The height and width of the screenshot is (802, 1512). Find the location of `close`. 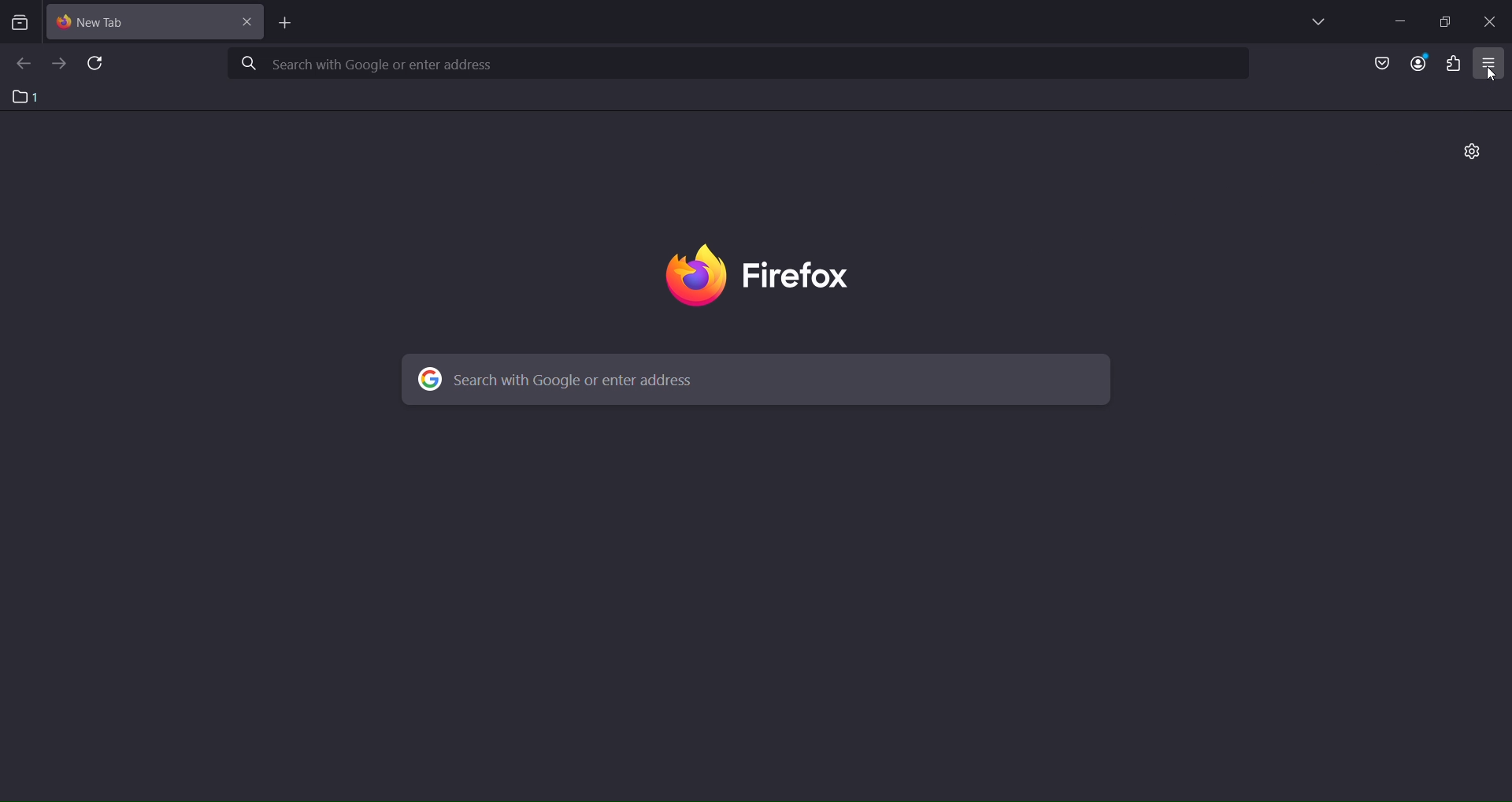

close is located at coordinates (1494, 21).